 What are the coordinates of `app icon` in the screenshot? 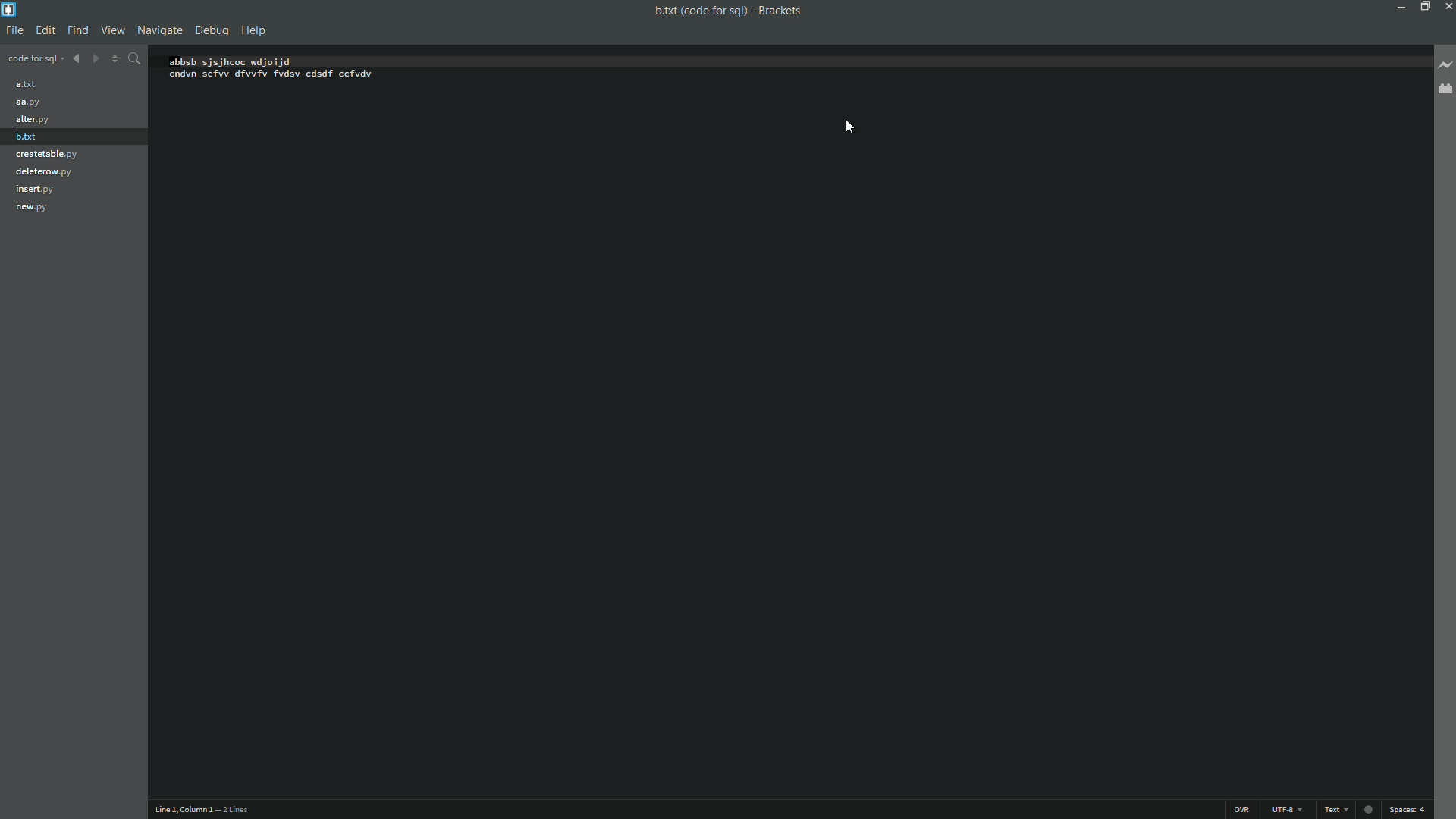 It's located at (9, 9).